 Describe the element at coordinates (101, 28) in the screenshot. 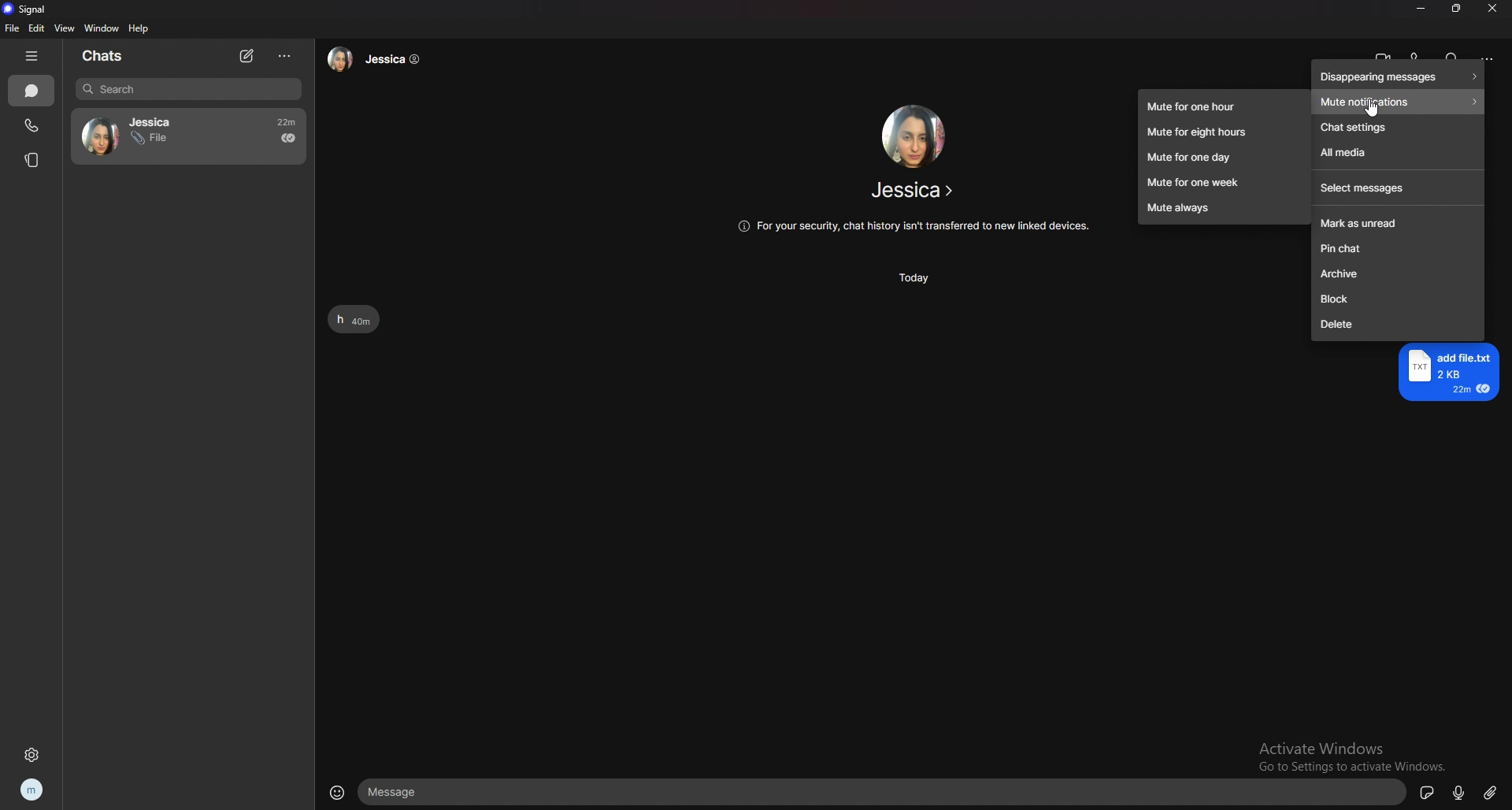

I see `window` at that location.